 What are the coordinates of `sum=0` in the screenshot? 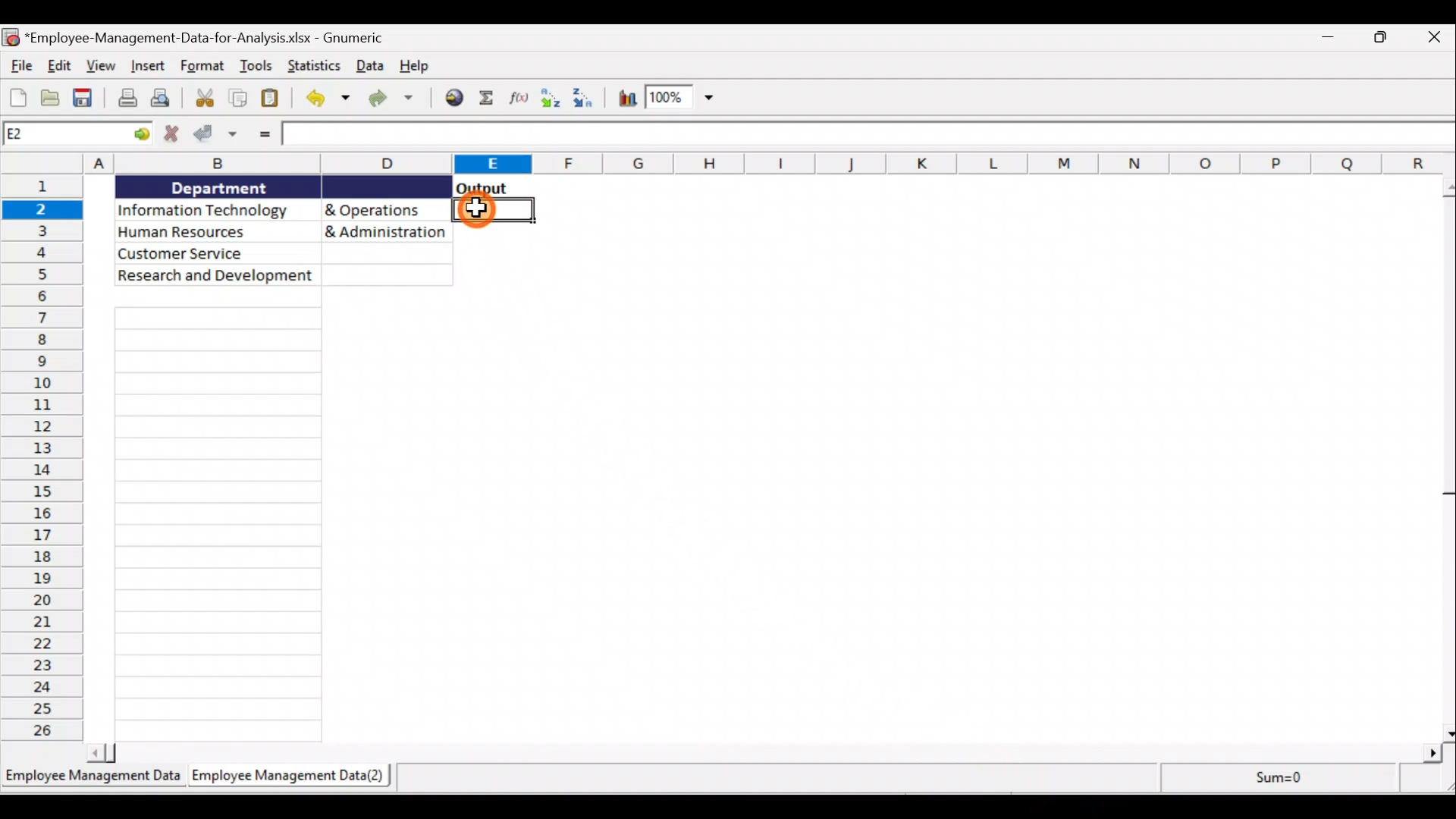 It's located at (1271, 777).